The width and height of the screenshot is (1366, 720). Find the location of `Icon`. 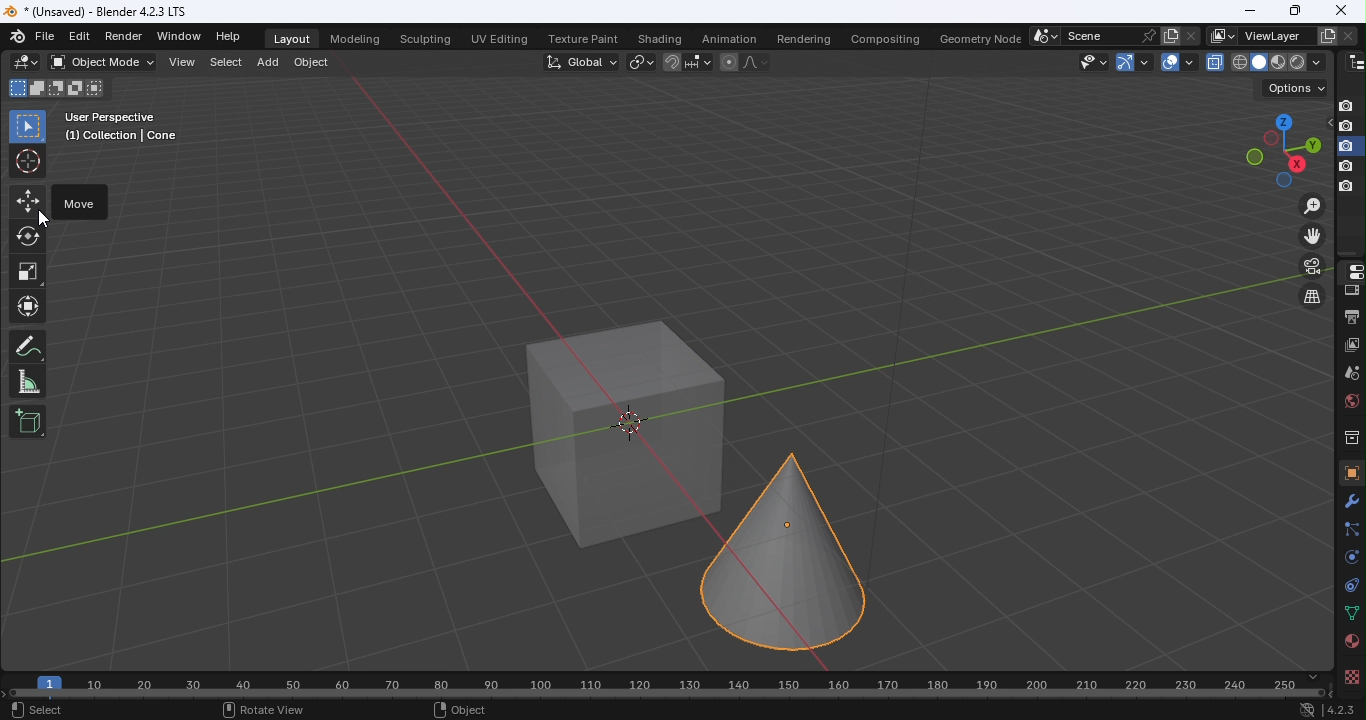

Icon is located at coordinates (19, 35).